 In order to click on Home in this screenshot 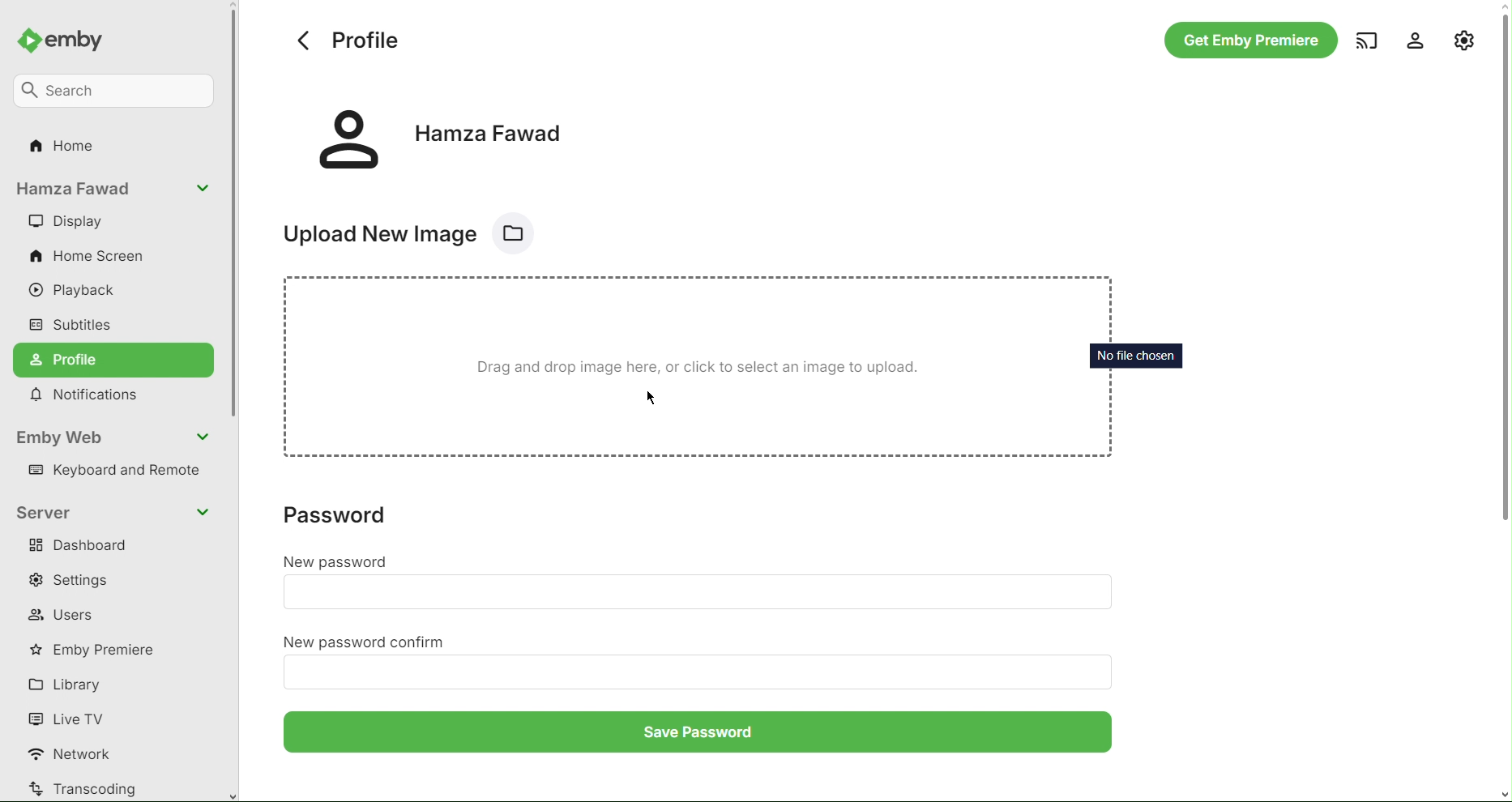, I will do `click(66, 150)`.